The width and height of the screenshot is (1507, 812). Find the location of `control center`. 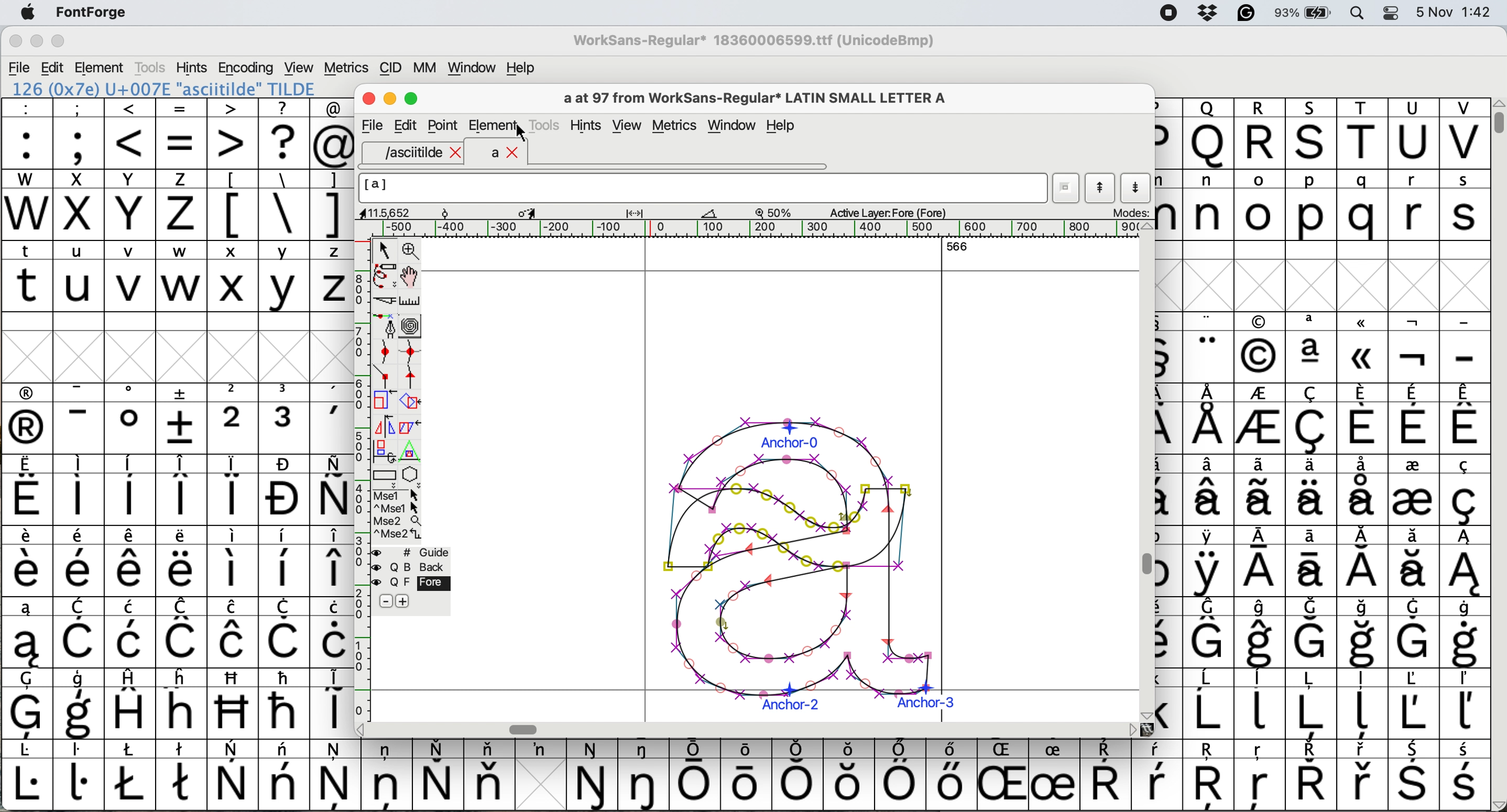

control center is located at coordinates (1395, 12).